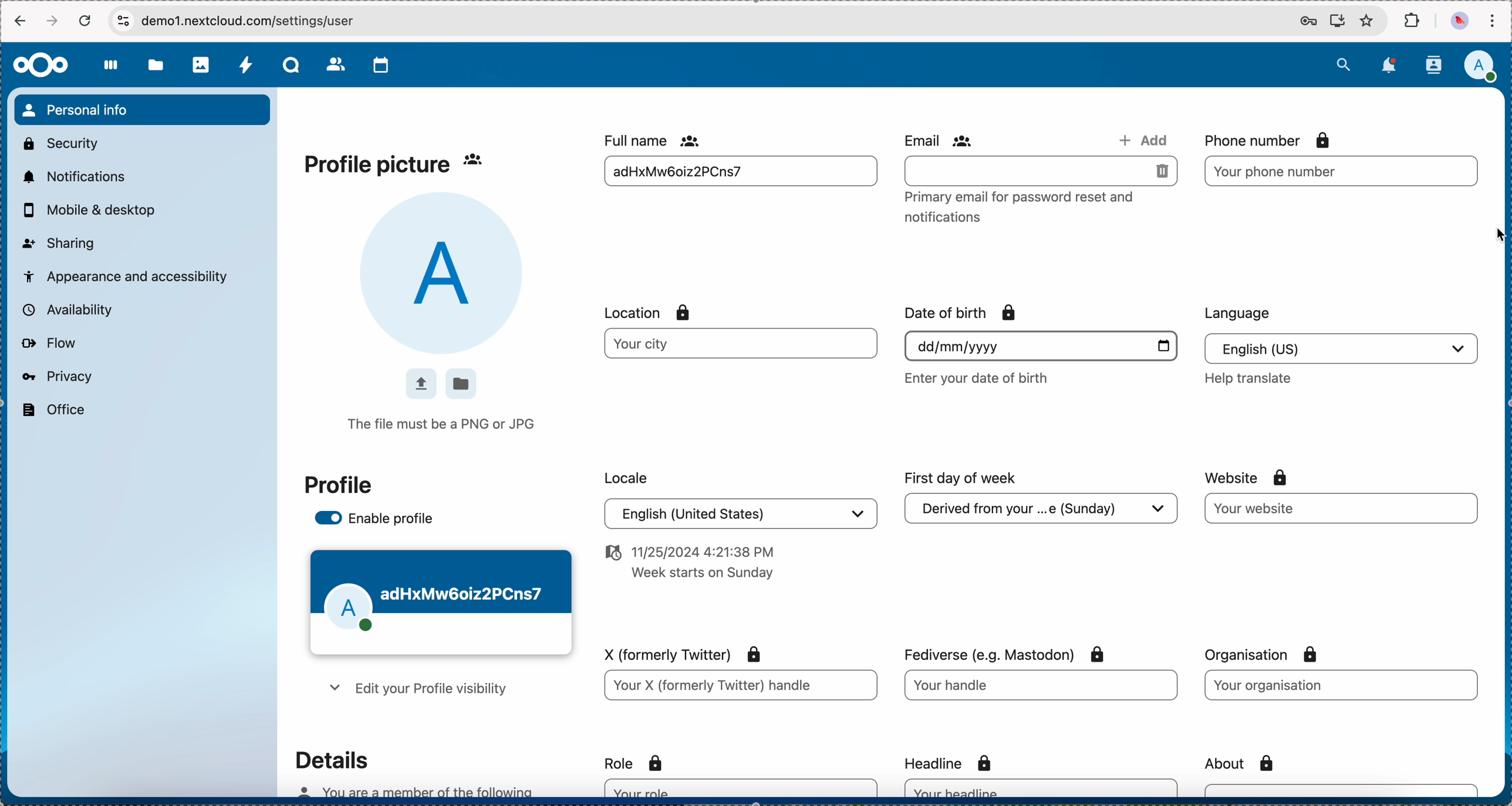 The width and height of the screenshot is (1512, 806). I want to click on locale, so click(627, 476).